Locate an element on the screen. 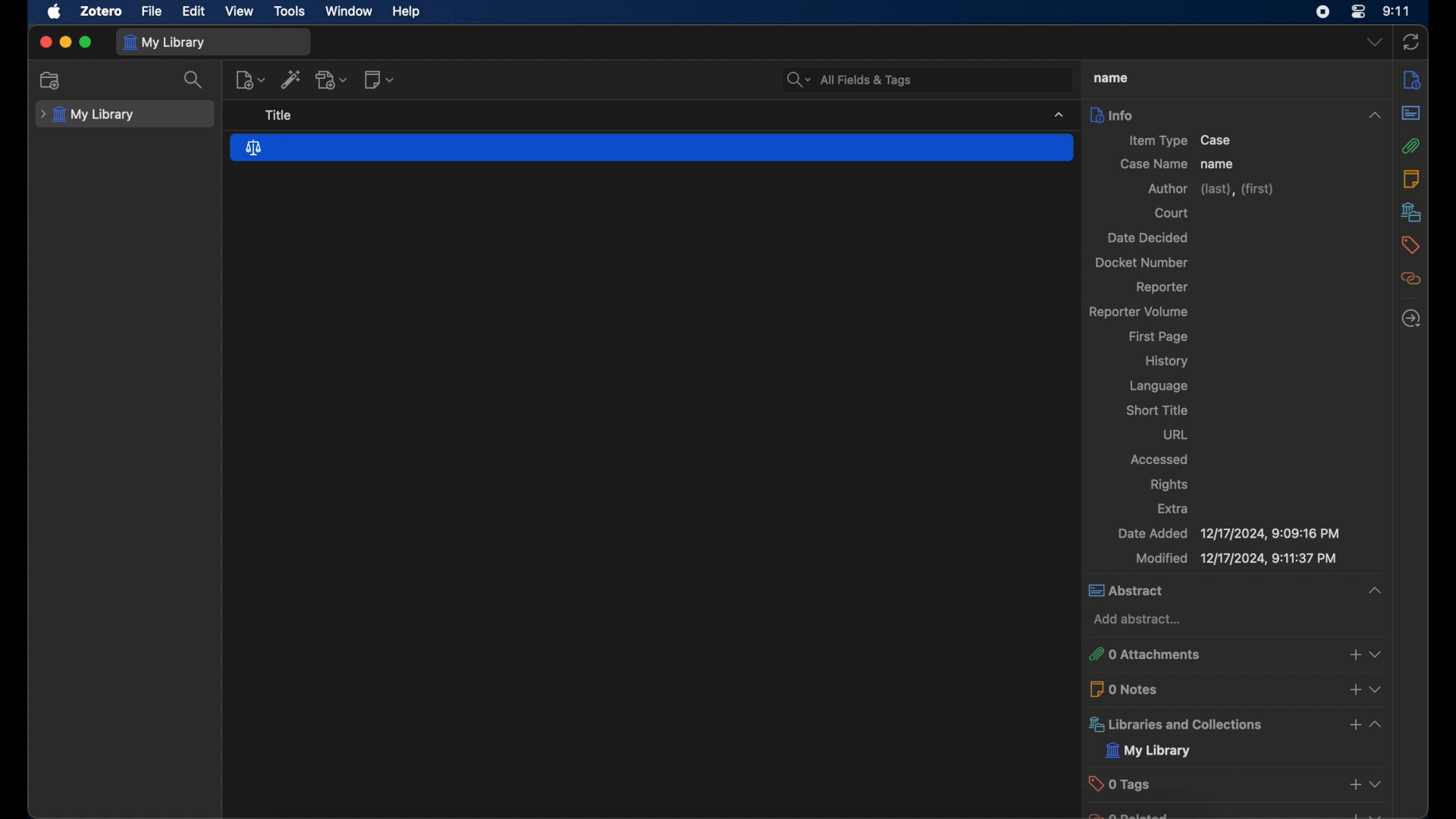 This screenshot has width=1456, height=819. tags is located at coordinates (1410, 244).